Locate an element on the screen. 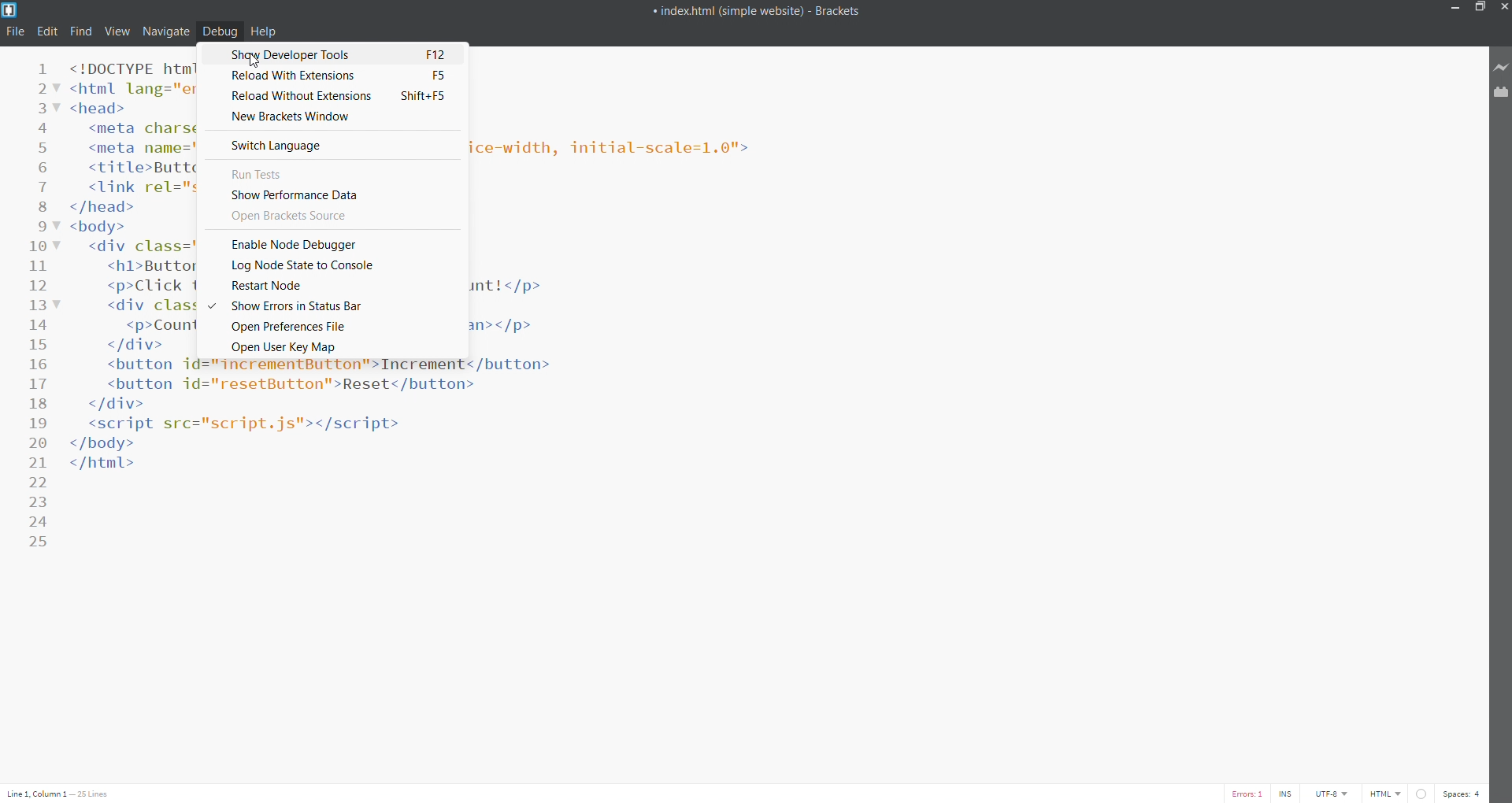 The image size is (1512, 803). navigate is located at coordinates (169, 31).